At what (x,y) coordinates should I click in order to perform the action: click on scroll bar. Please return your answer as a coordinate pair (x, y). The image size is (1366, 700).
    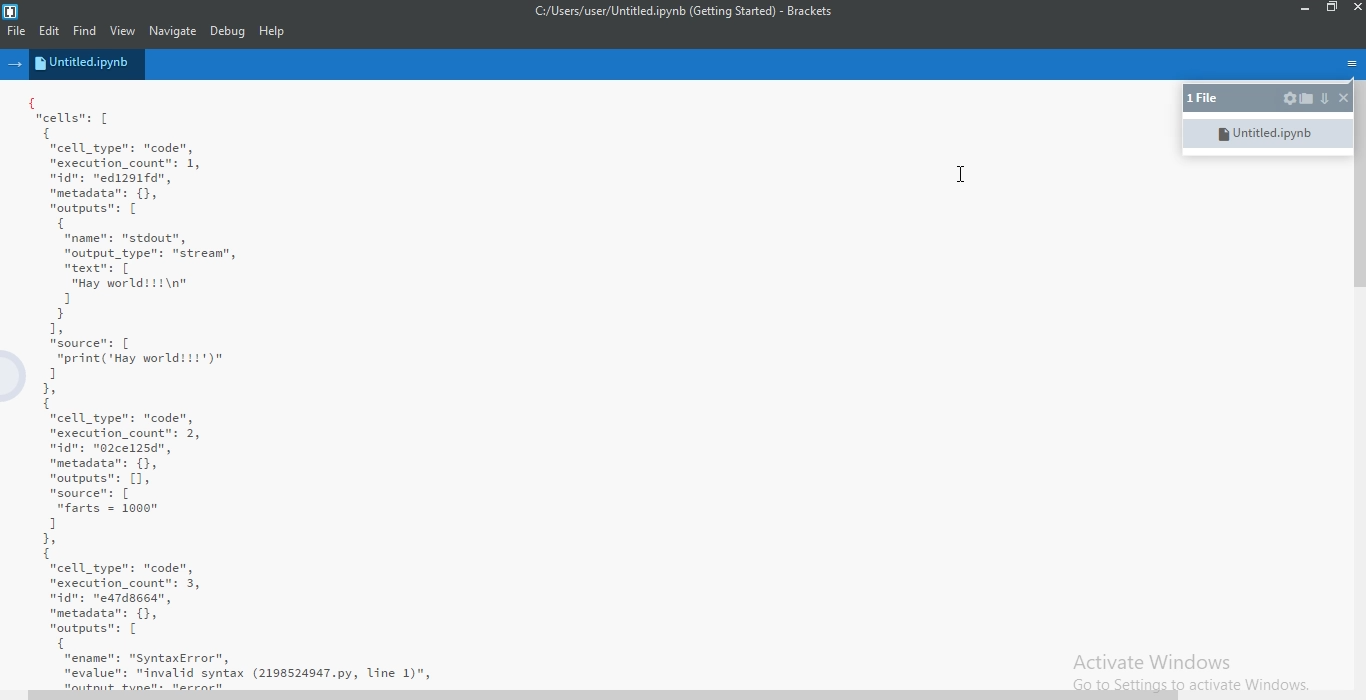
    Looking at the image, I should click on (1357, 199).